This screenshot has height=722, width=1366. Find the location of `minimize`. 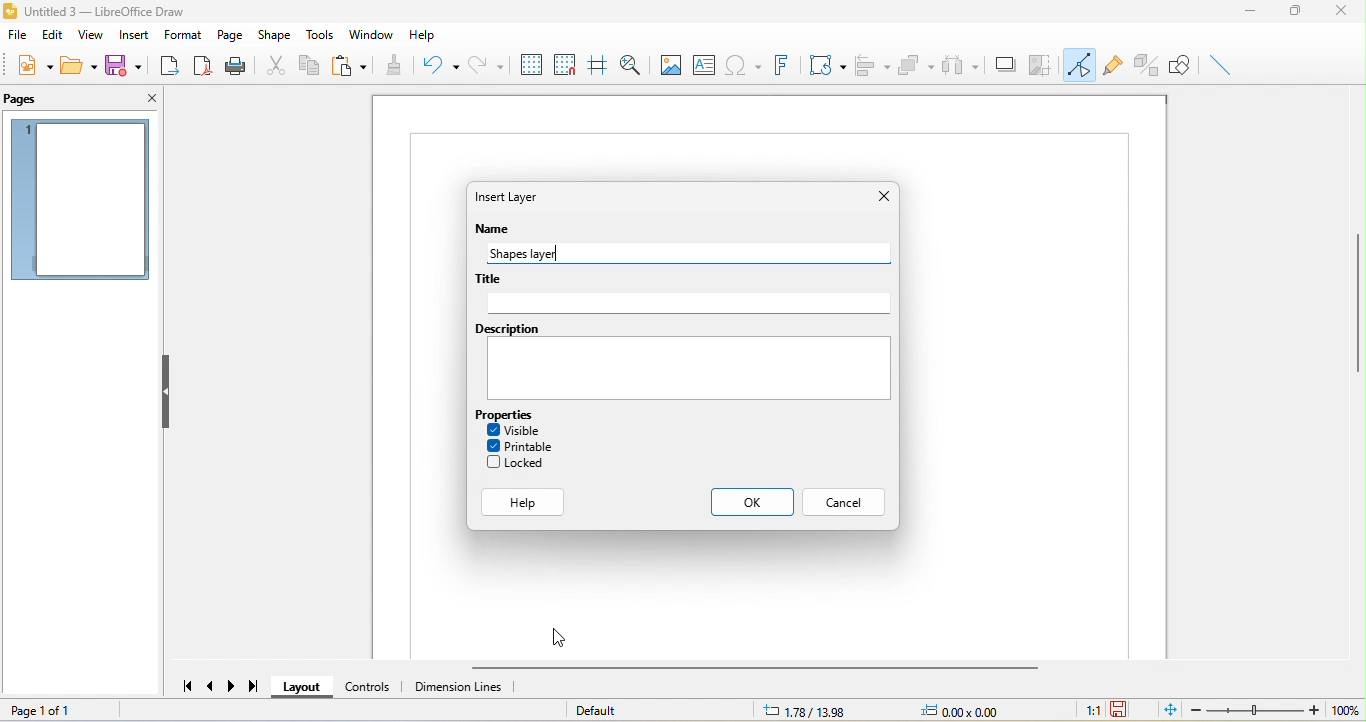

minimize is located at coordinates (1255, 13).